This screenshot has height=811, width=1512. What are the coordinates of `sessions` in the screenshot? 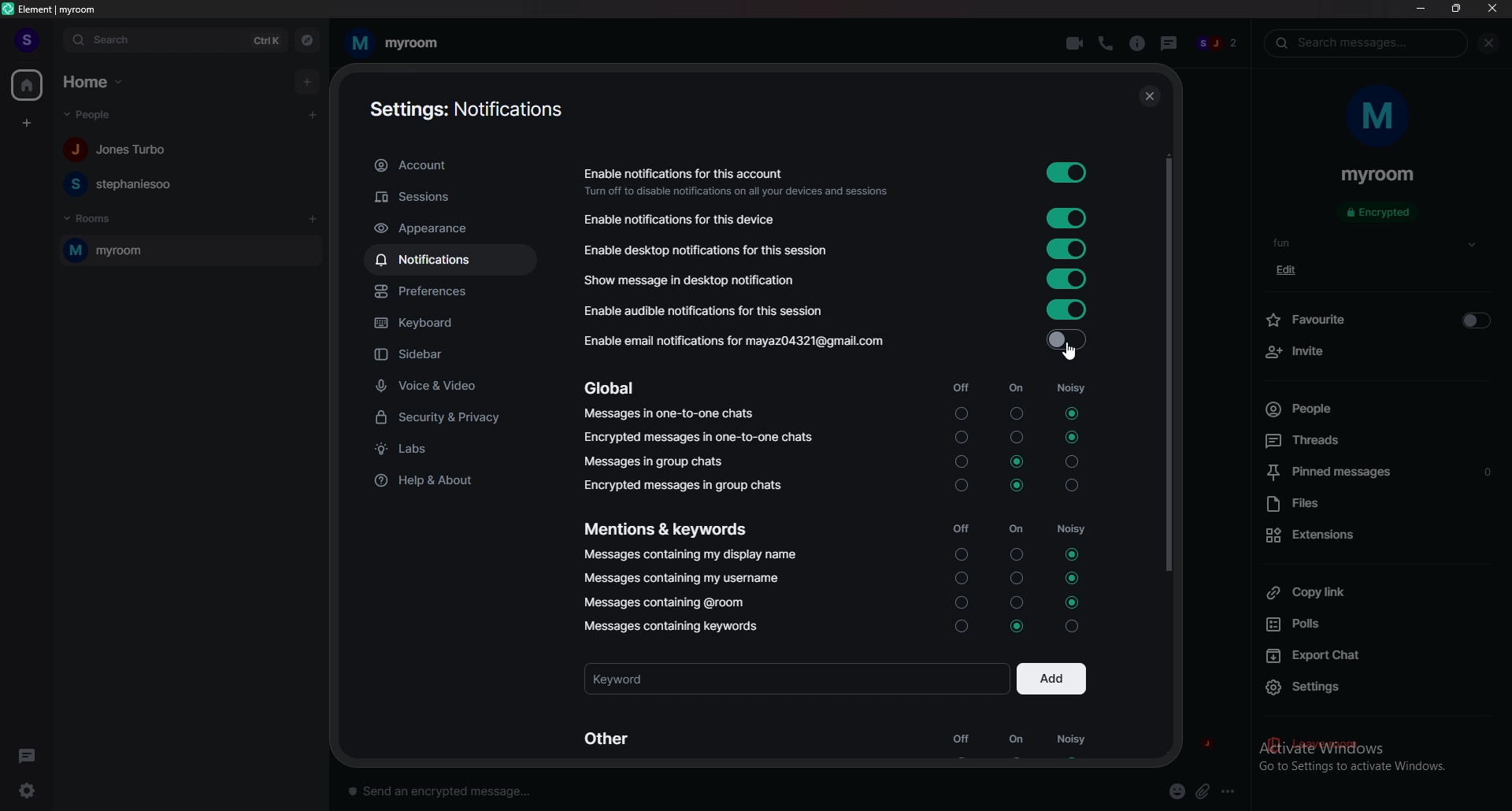 It's located at (455, 197).